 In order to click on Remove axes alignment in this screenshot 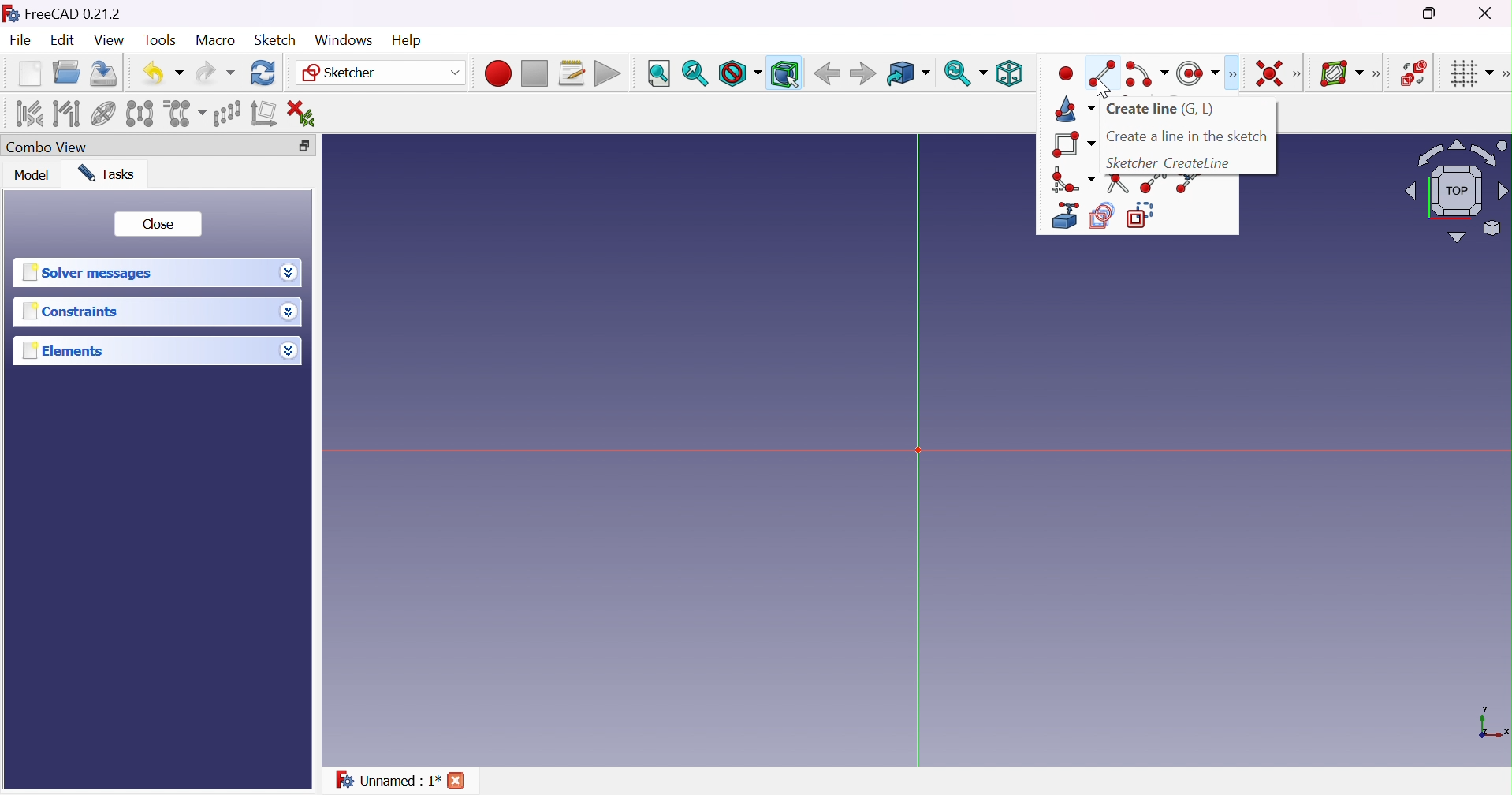, I will do `click(264, 115)`.